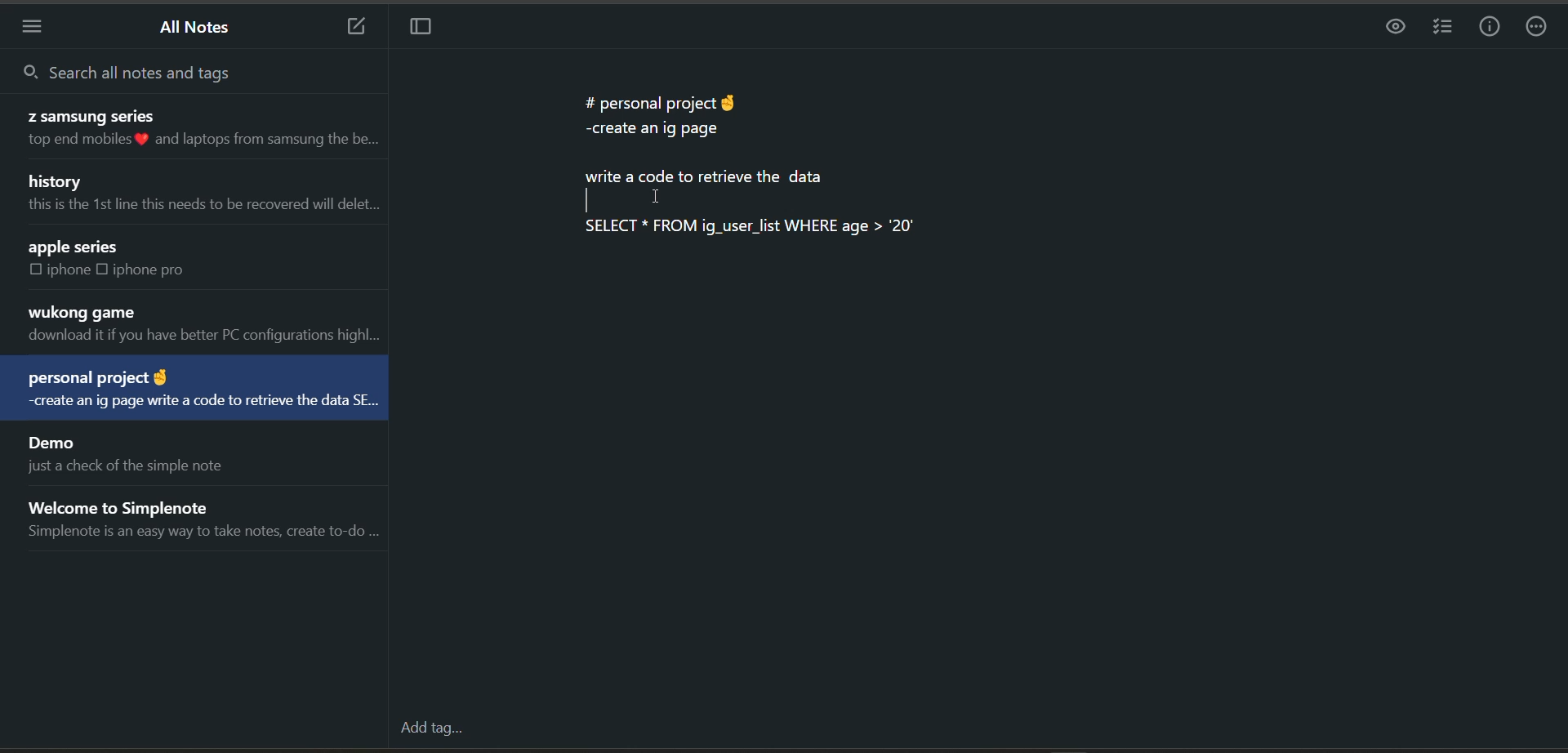 The image size is (1568, 753). Describe the element at coordinates (661, 198) in the screenshot. I see `cursor` at that location.